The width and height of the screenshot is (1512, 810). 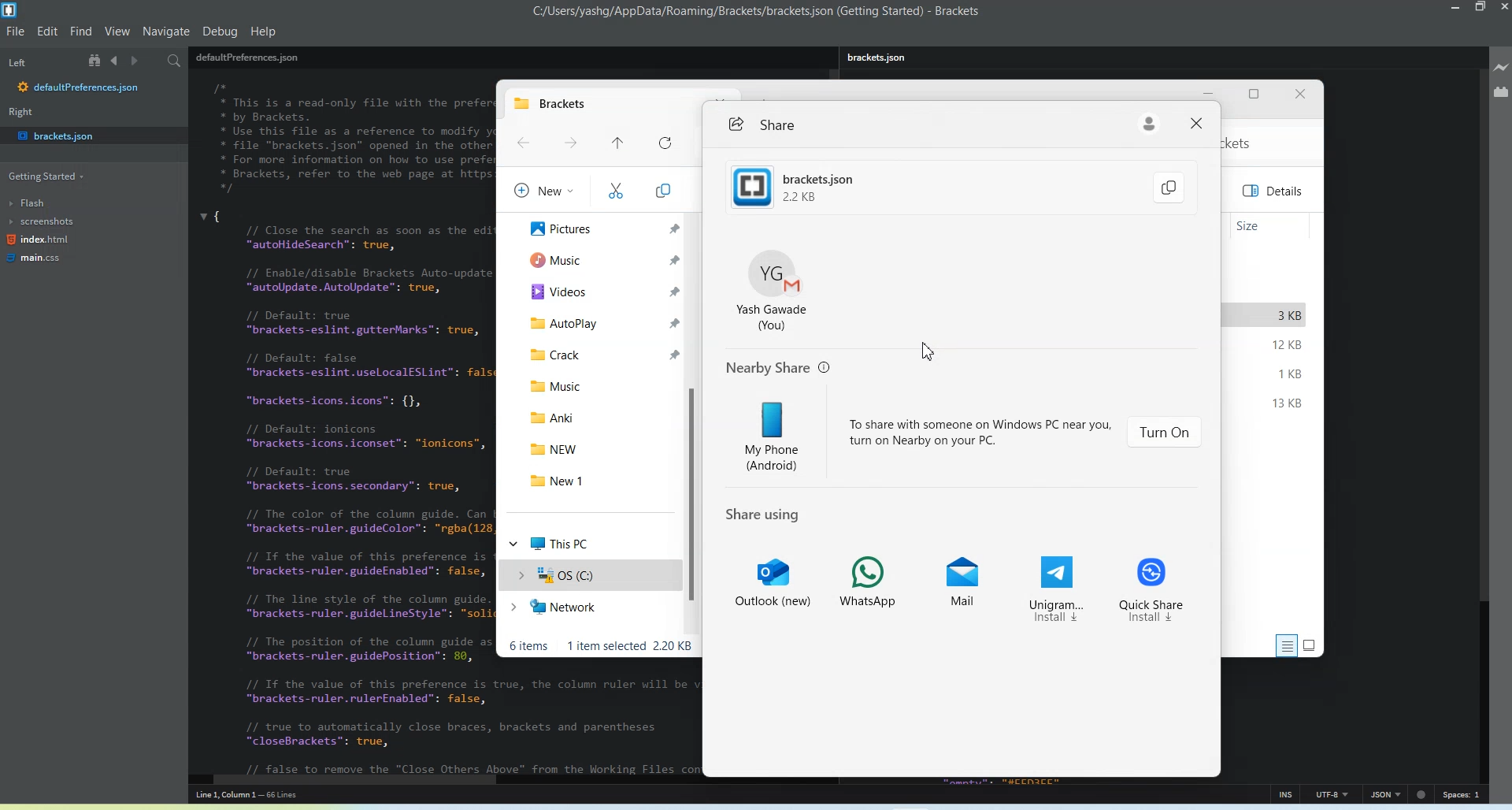 I want to click on OS, so click(x=589, y=575).